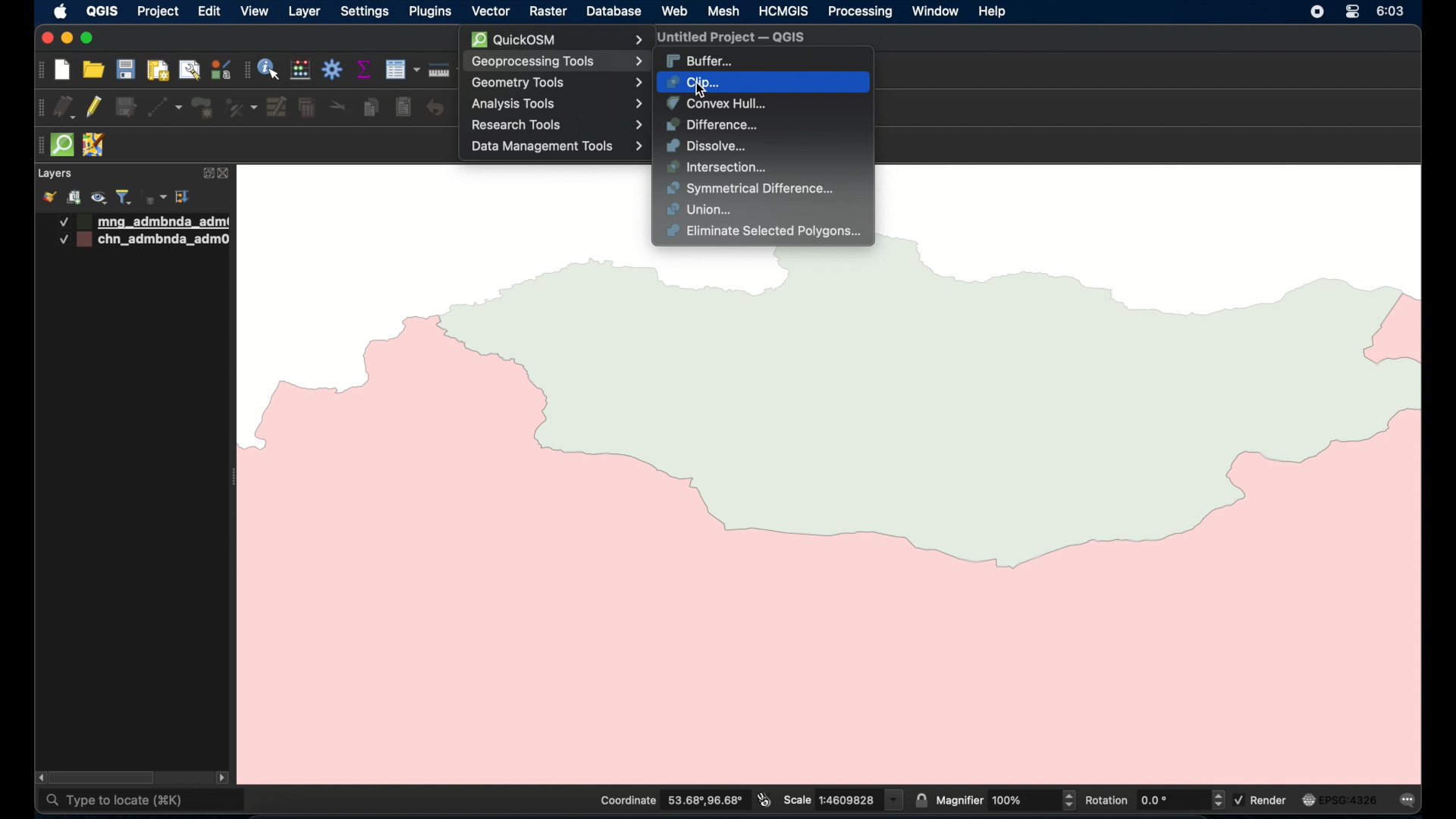 The image size is (1456, 819). I want to click on close, so click(45, 38).